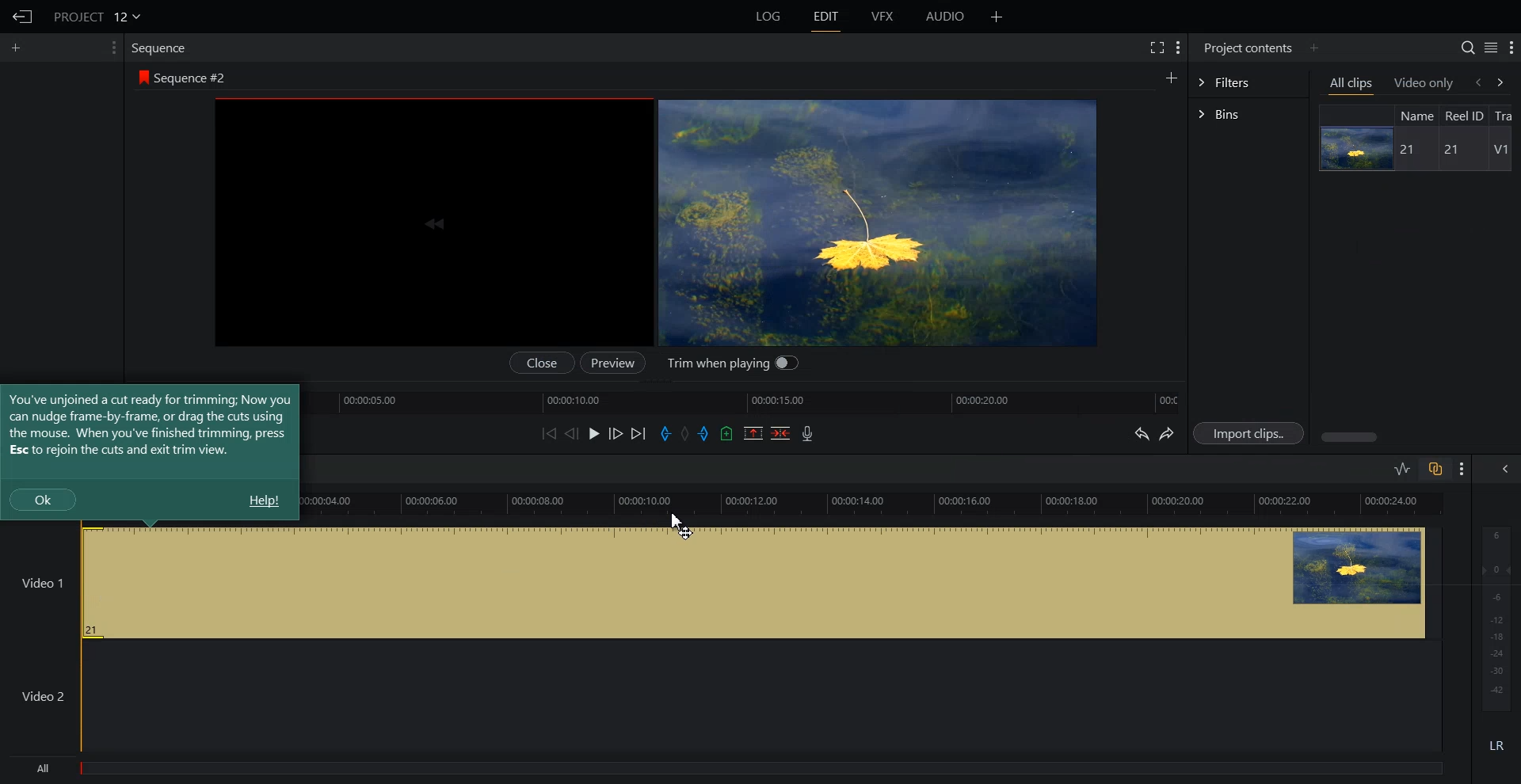 This screenshot has height=784, width=1521. I want to click on Preview Window, so click(876, 222).